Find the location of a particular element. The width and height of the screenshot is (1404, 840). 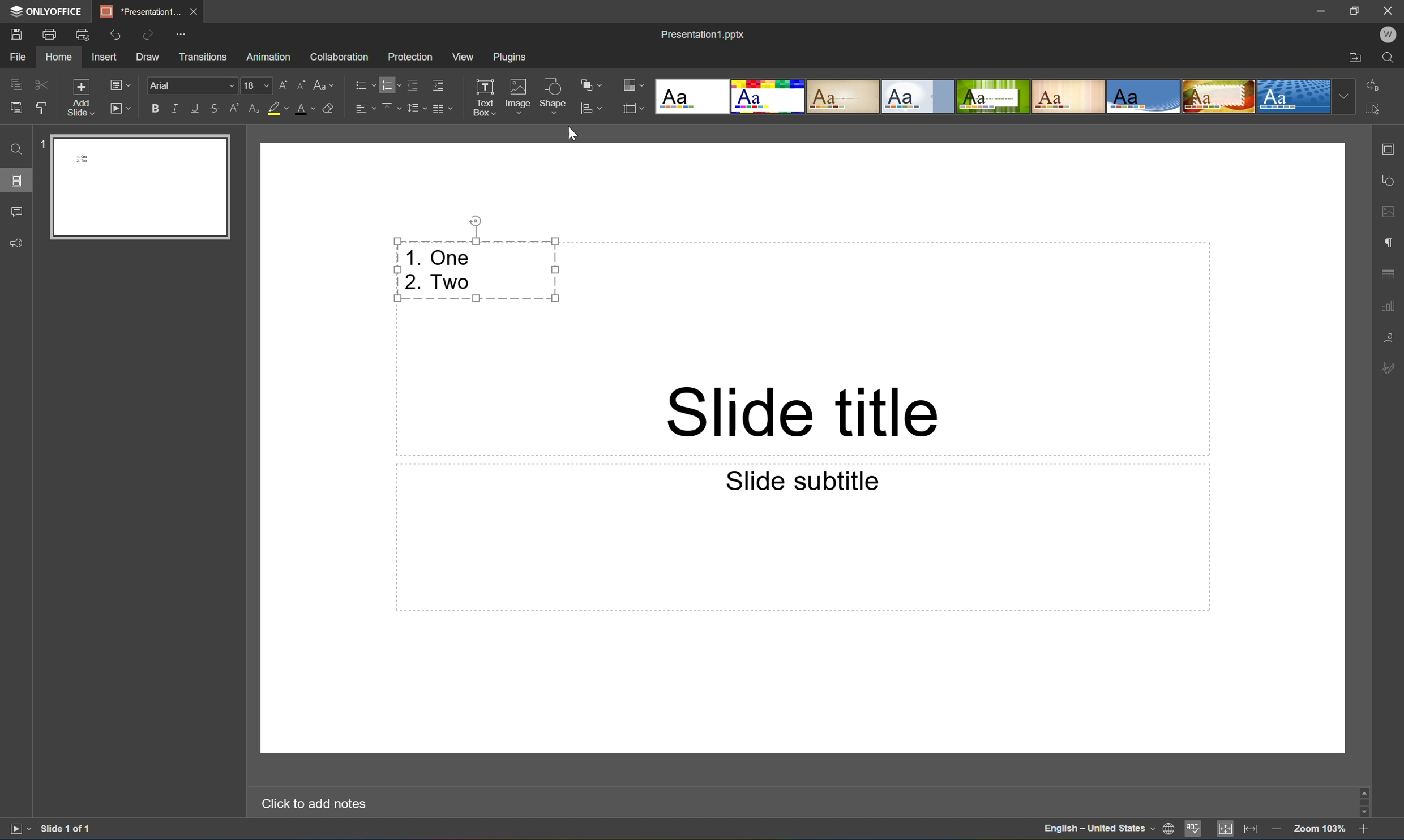

Slide show is located at coordinates (18, 829).